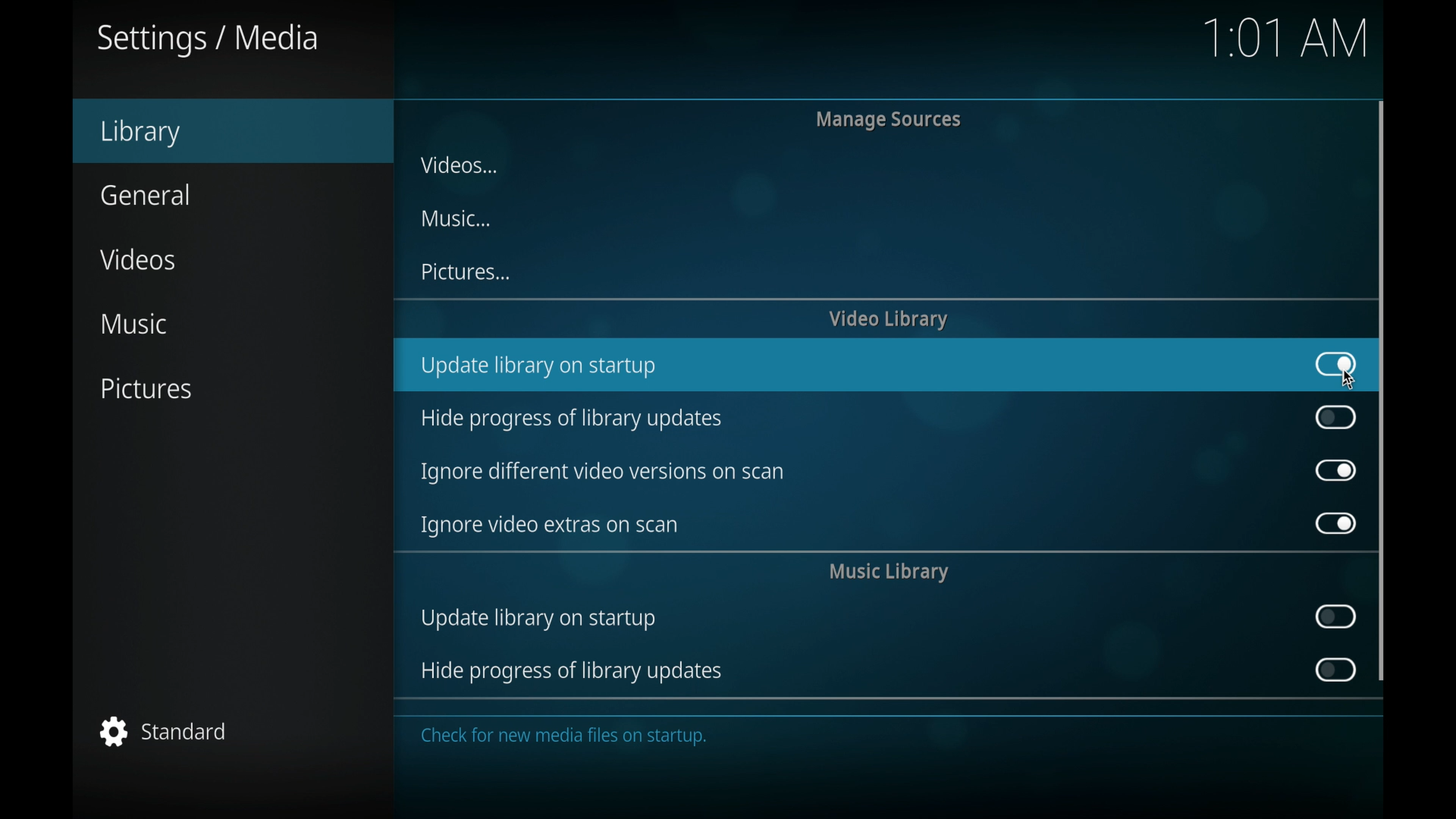  What do you see at coordinates (889, 119) in the screenshot?
I see `manage sources` at bounding box center [889, 119].